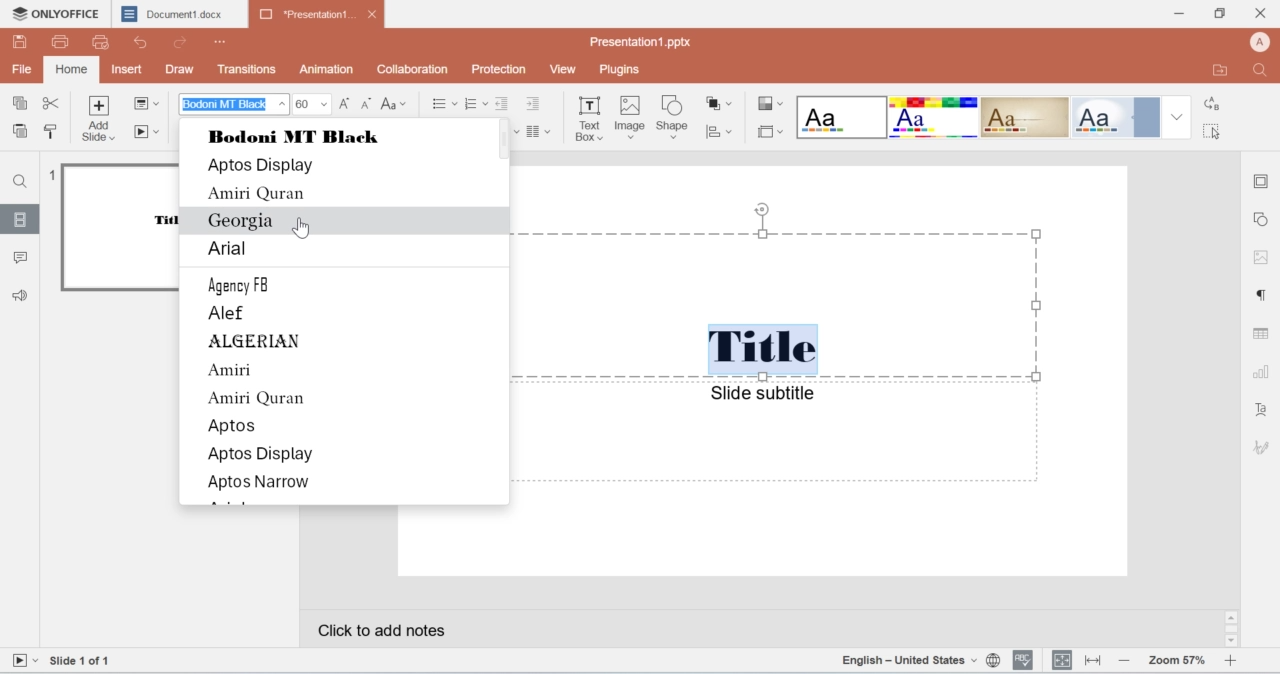 The width and height of the screenshot is (1280, 674). What do you see at coordinates (222, 42) in the screenshot?
I see `Menu` at bounding box center [222, 42].